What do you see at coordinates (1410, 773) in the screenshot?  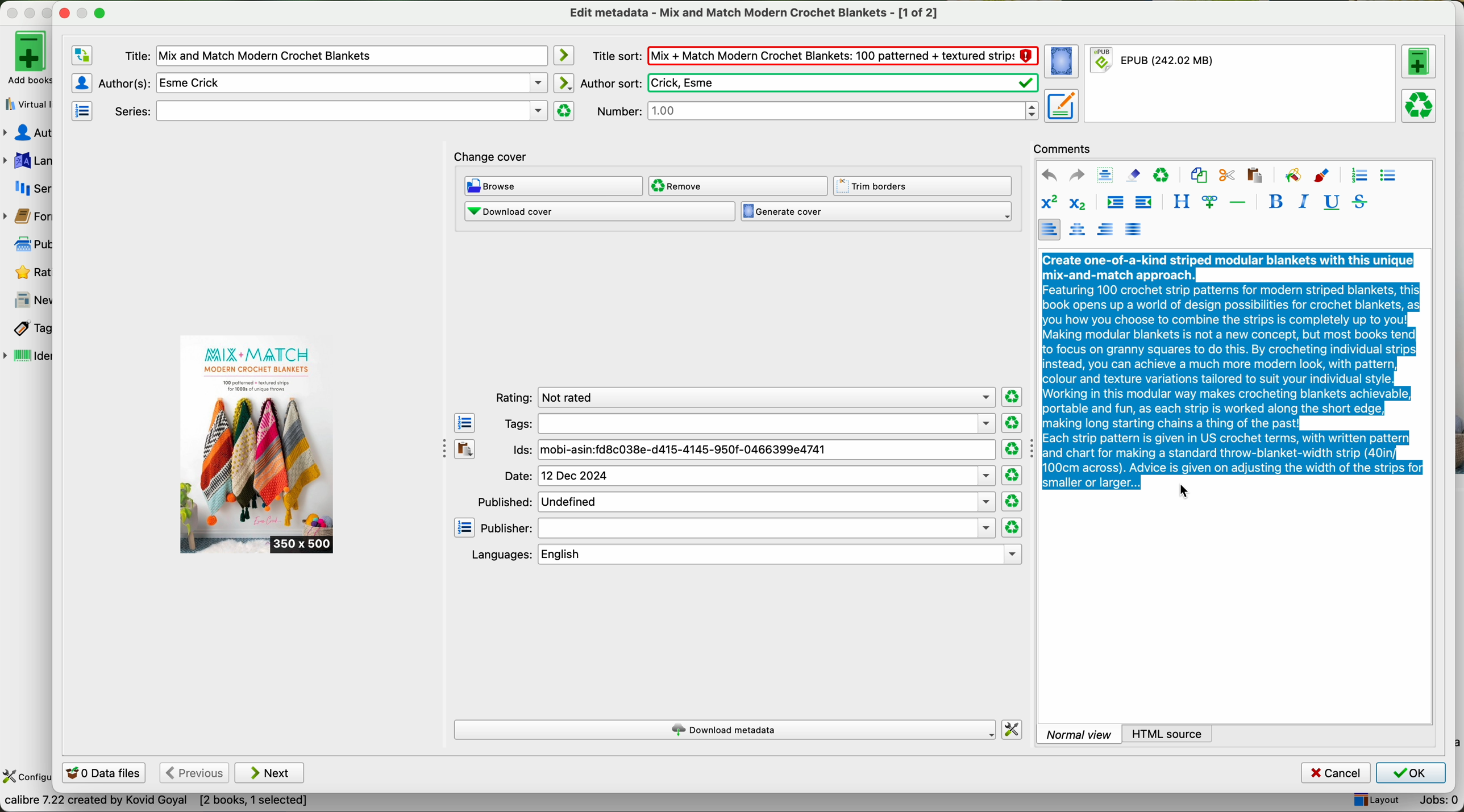 I see `OK` at bounding box center [1410, 773].